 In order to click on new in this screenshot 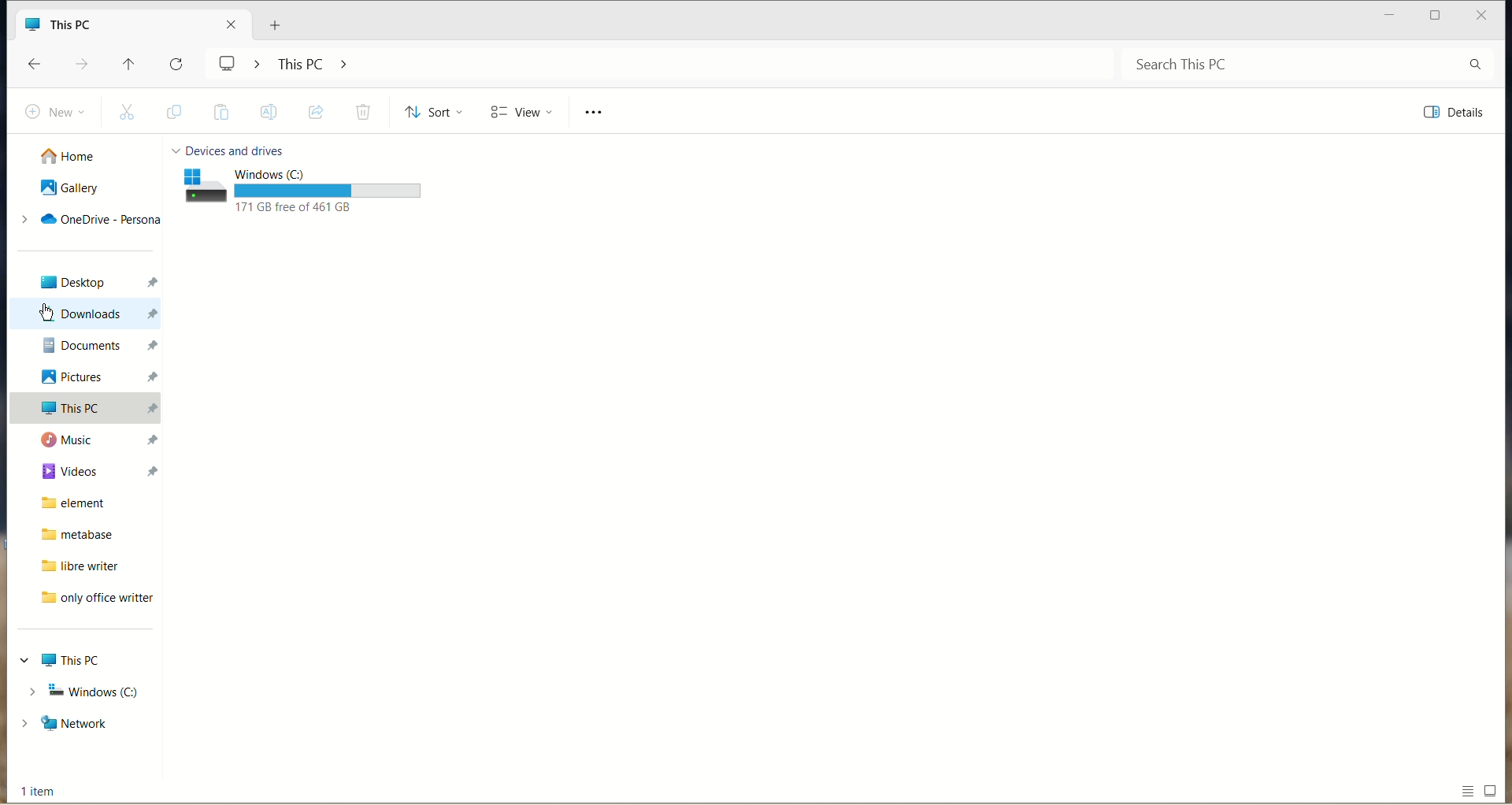, I will do `click(52, 111)`.